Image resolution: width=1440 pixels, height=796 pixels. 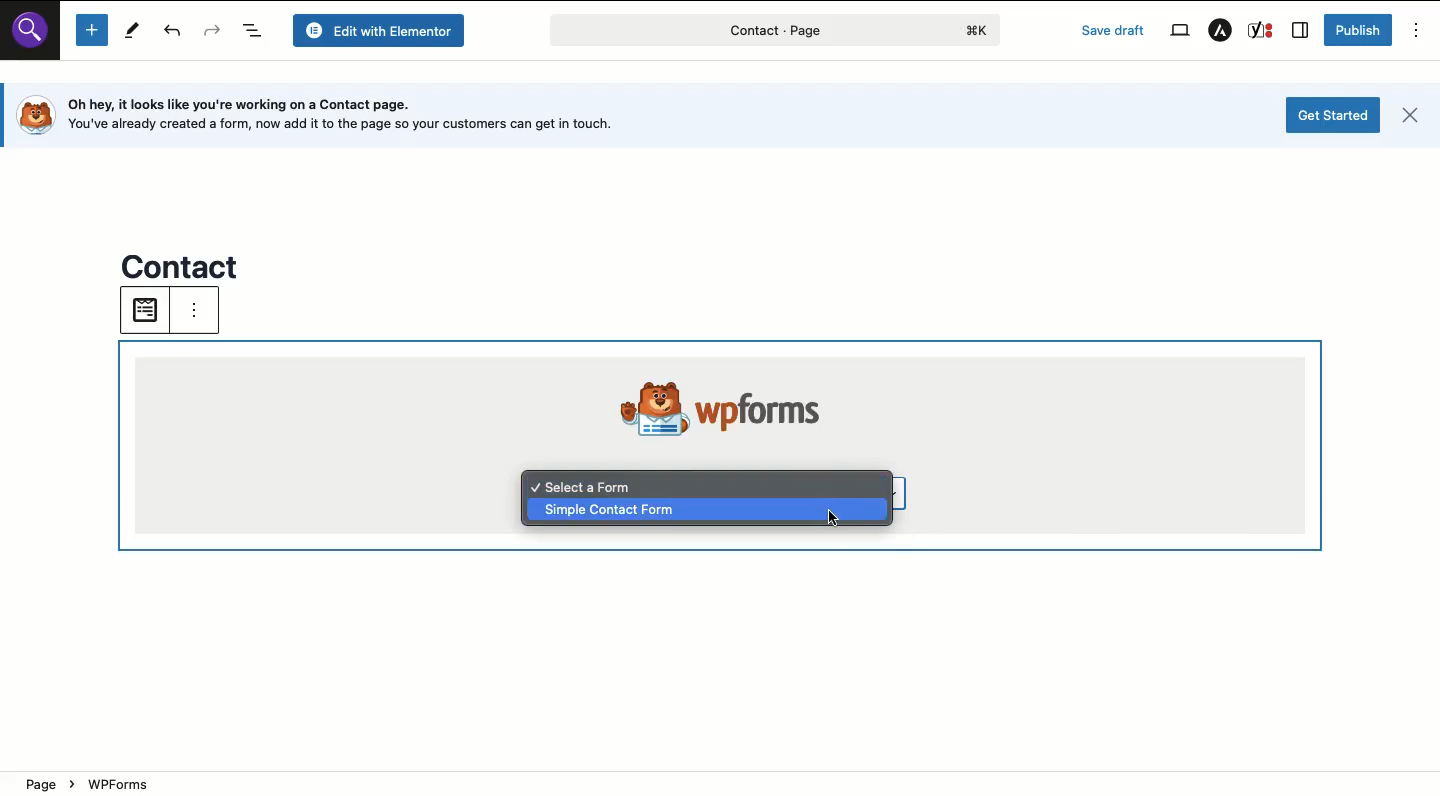 What do you see at coordinates (208, 315) in the screenshot?
I see `view menu` at bounding box center [208, 315].